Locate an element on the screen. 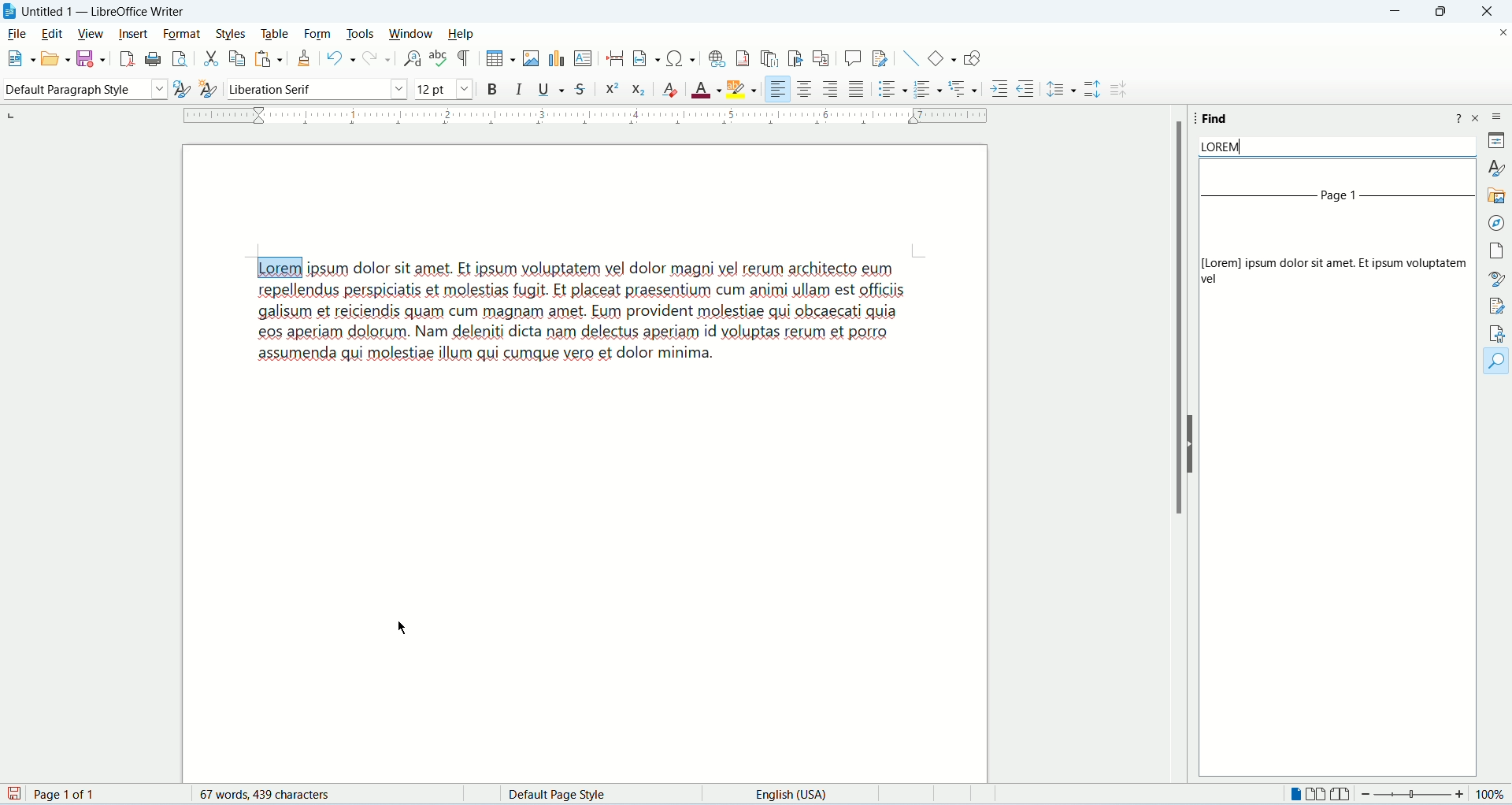 This screenshot has width=1512, height=805. insert endnote is located at coordinates (766, 61).